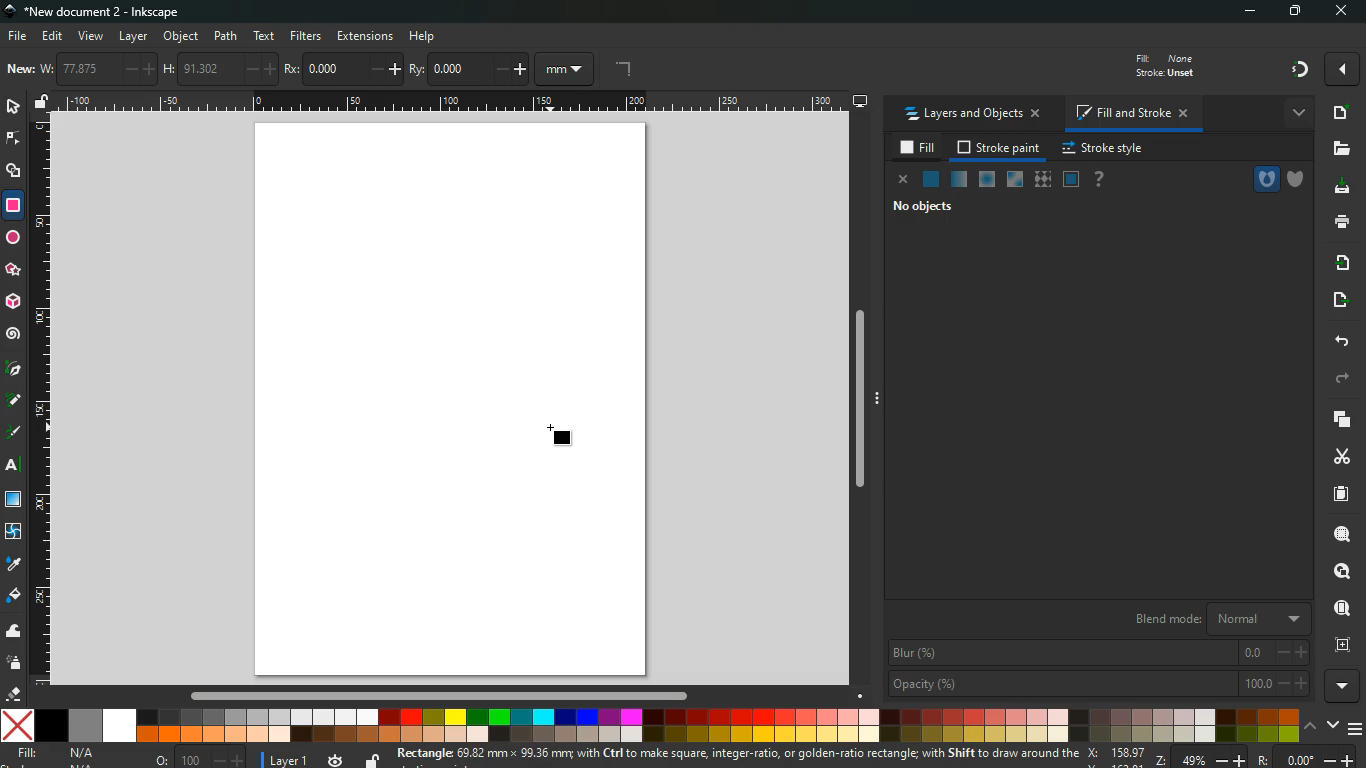  What do you see at coordinates (1341, 645) in the screenshot?
I see `frame` at bounding box center [1341, 645].